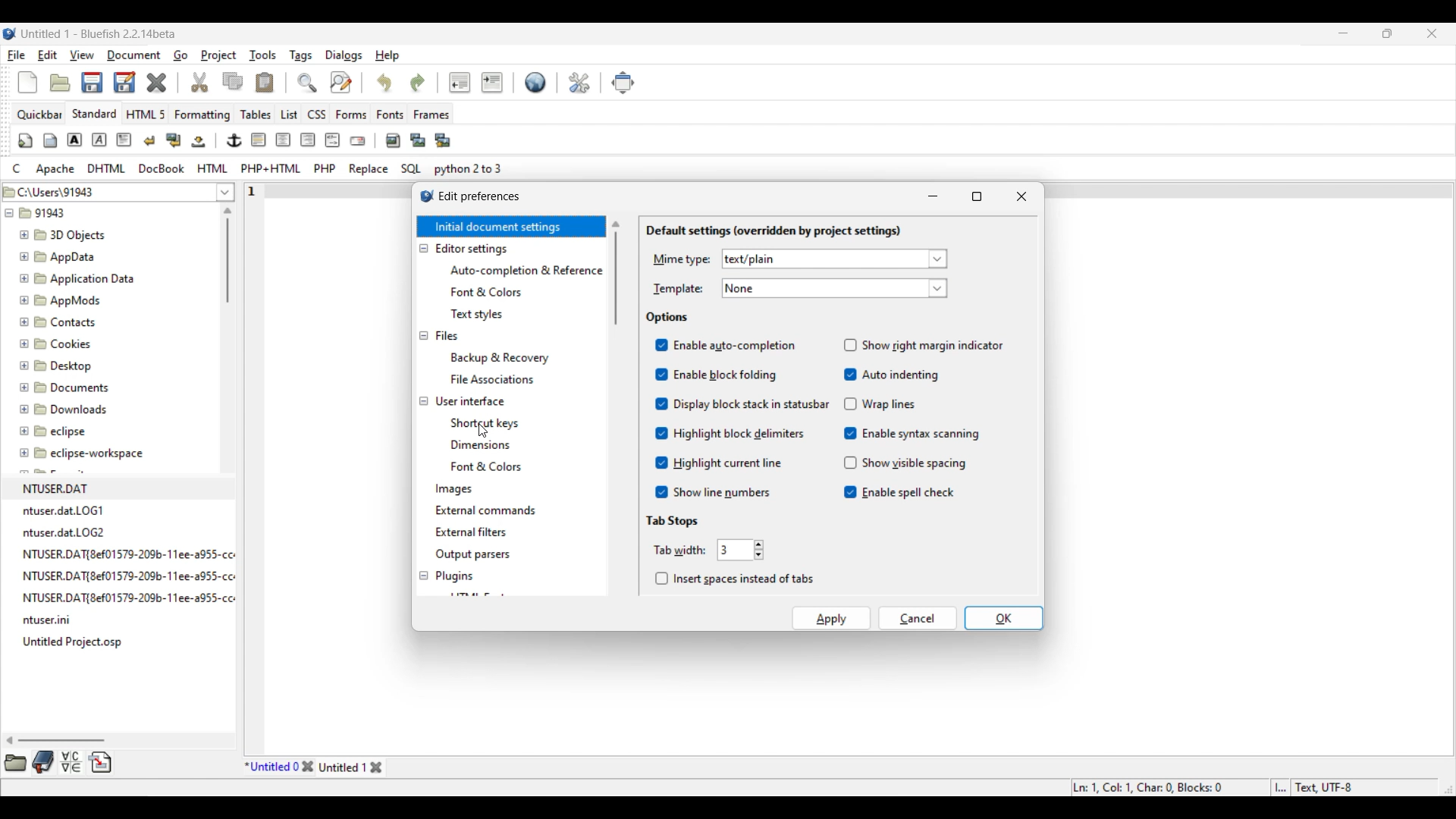 The width and height of the screenshot is (1456, 819). Describe the element at coordinates (475, 82) in the screenshot. I see `Indentation` at that location.